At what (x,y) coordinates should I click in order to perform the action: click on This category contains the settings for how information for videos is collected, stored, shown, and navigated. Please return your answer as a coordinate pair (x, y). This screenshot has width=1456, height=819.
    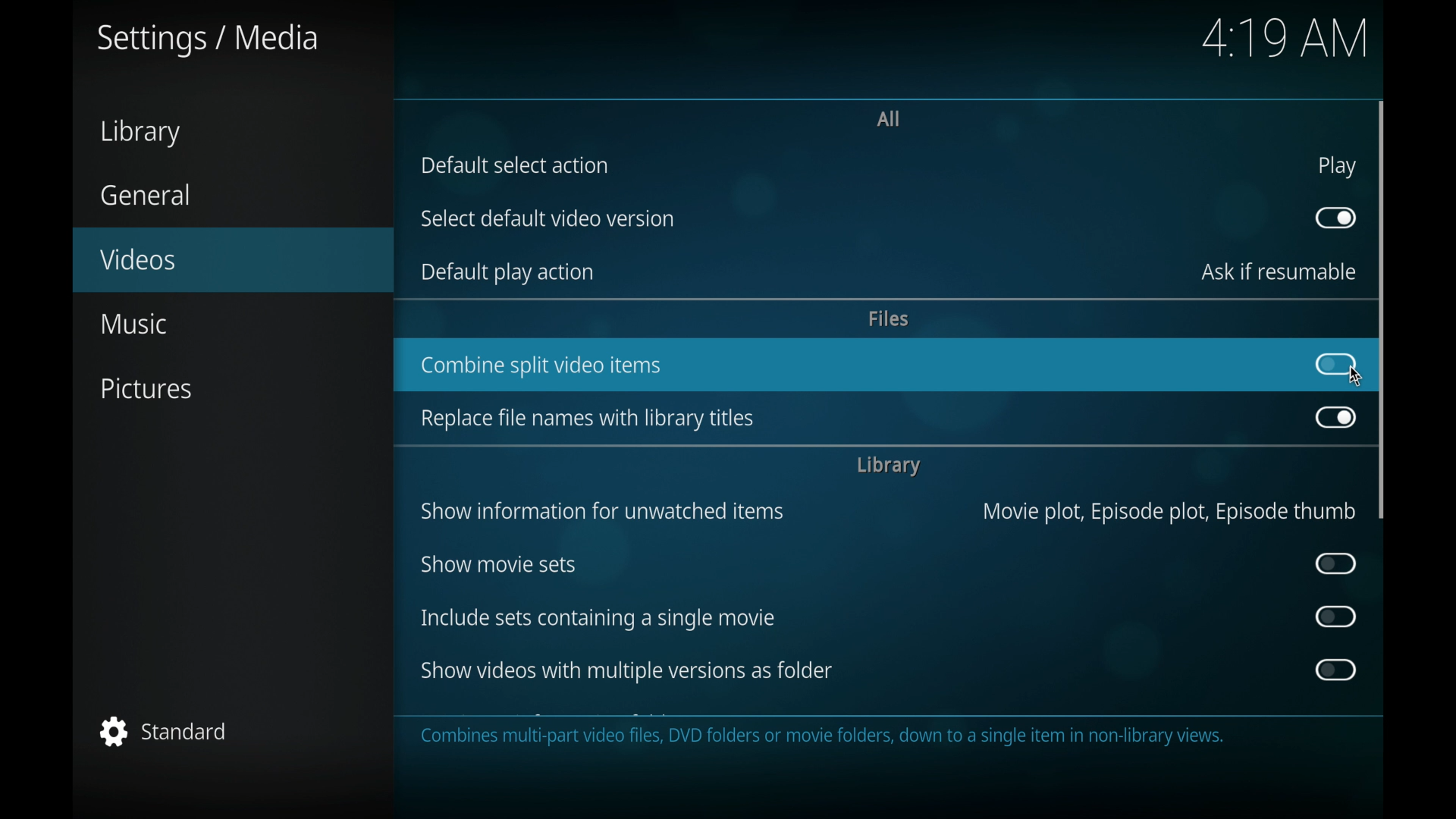
    Looking at the image, I should click on (847, 739).